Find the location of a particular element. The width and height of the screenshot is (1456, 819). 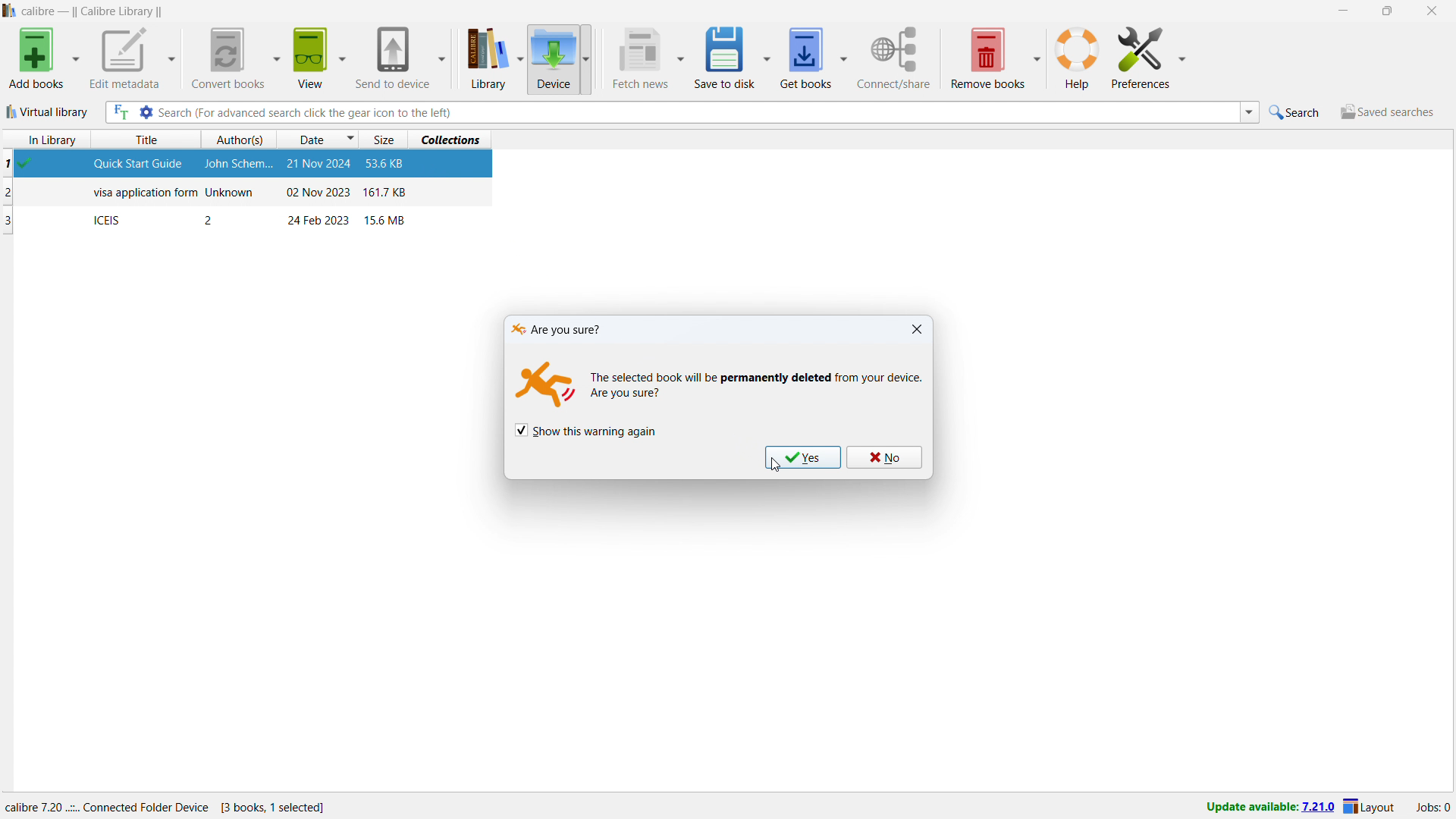

remove books is located at coordinates (987, 56).